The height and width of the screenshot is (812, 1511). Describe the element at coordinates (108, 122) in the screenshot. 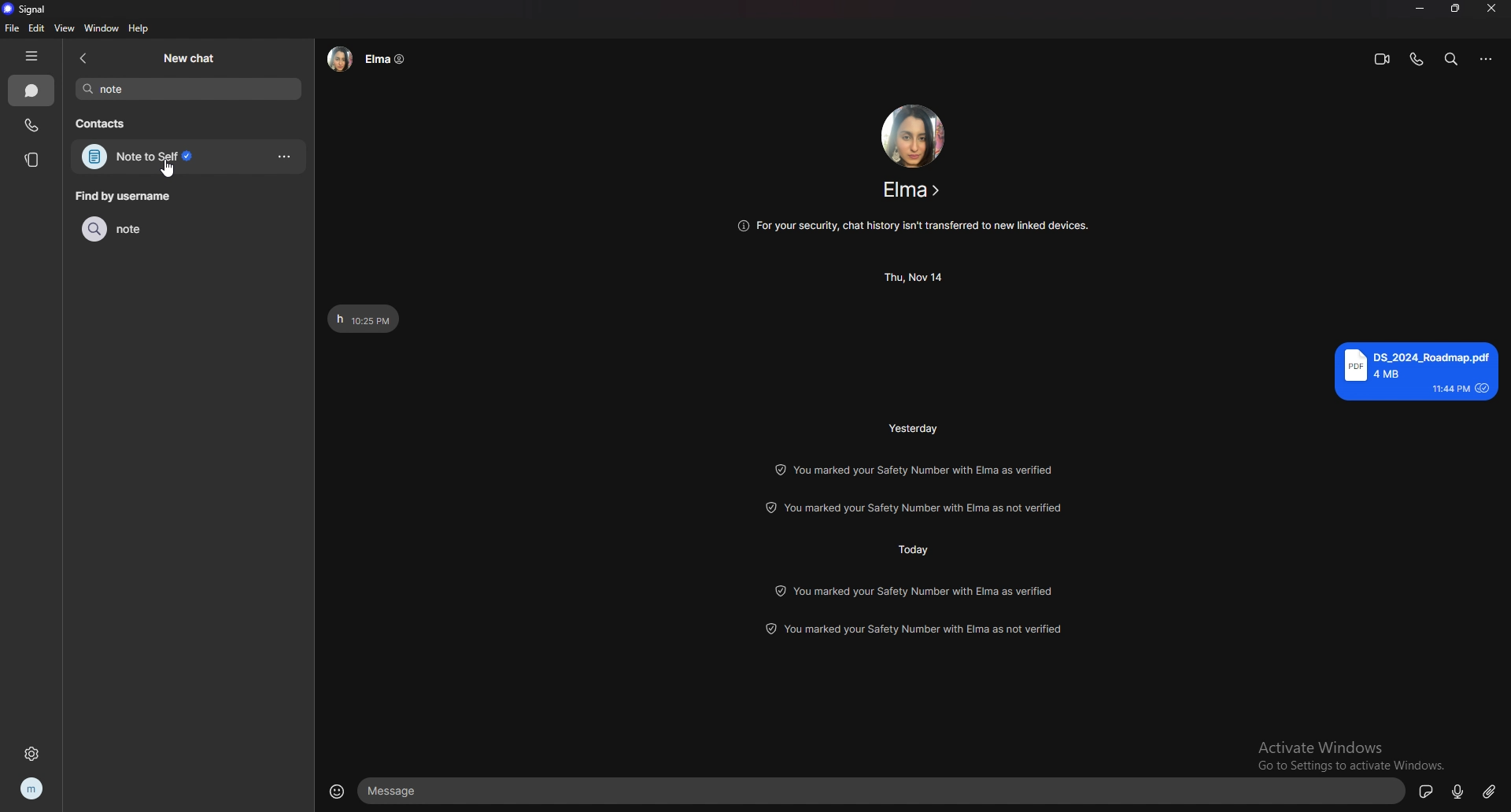

I see `contacts` at that location.